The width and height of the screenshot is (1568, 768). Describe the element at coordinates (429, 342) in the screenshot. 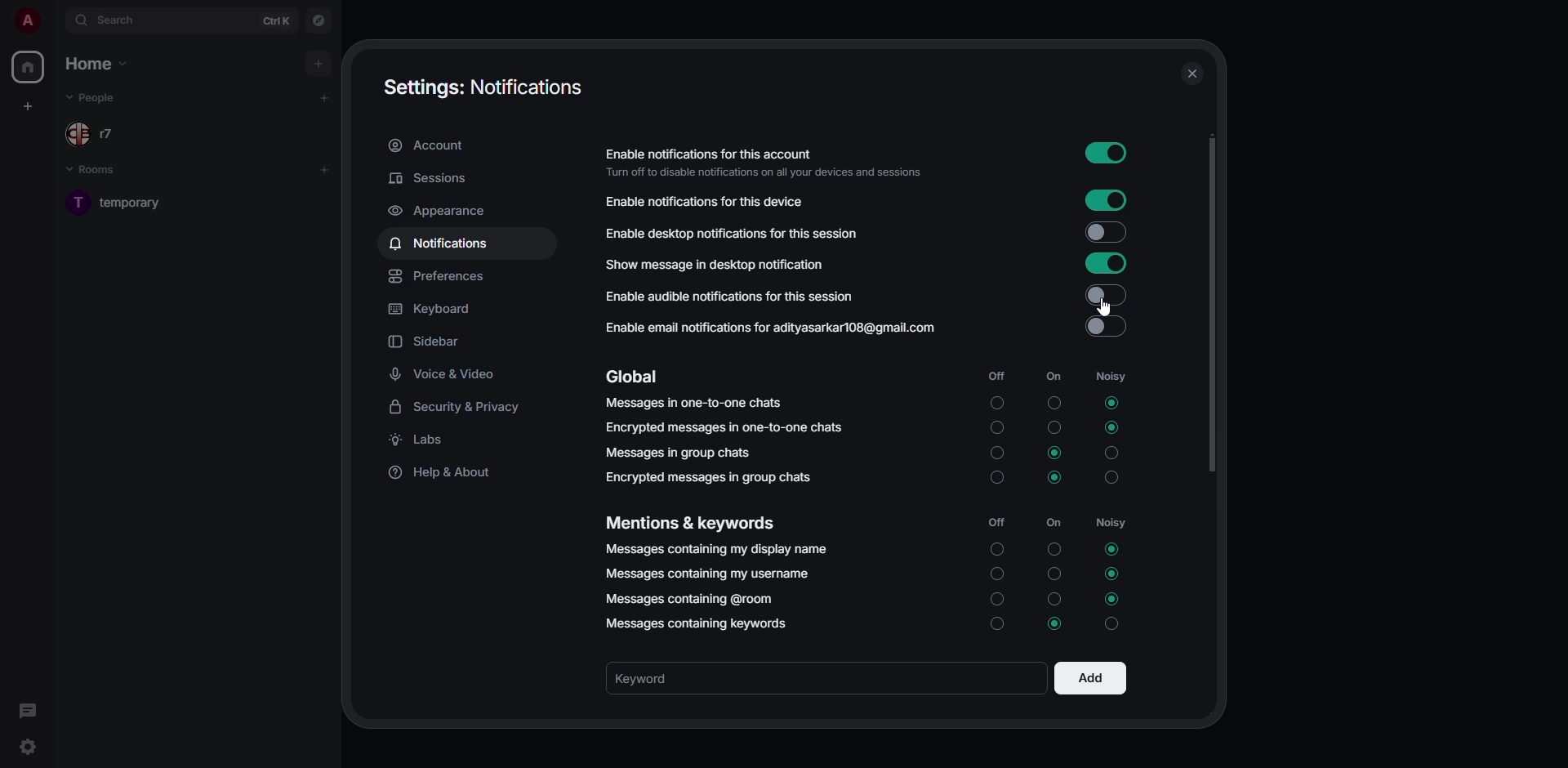

I see `sidebar` at that location.